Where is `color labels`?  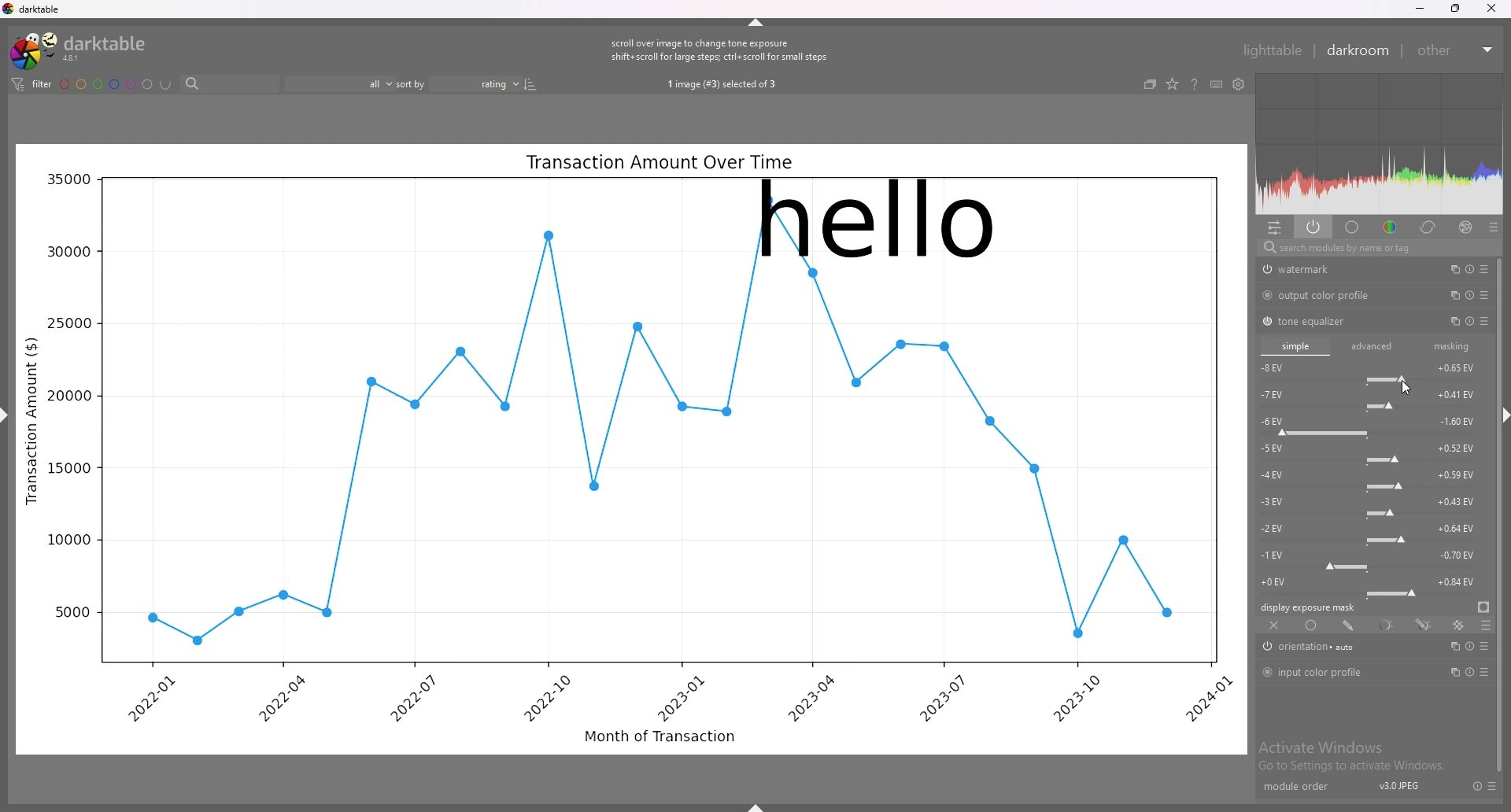
color labels is located at coordinates (105, 85).